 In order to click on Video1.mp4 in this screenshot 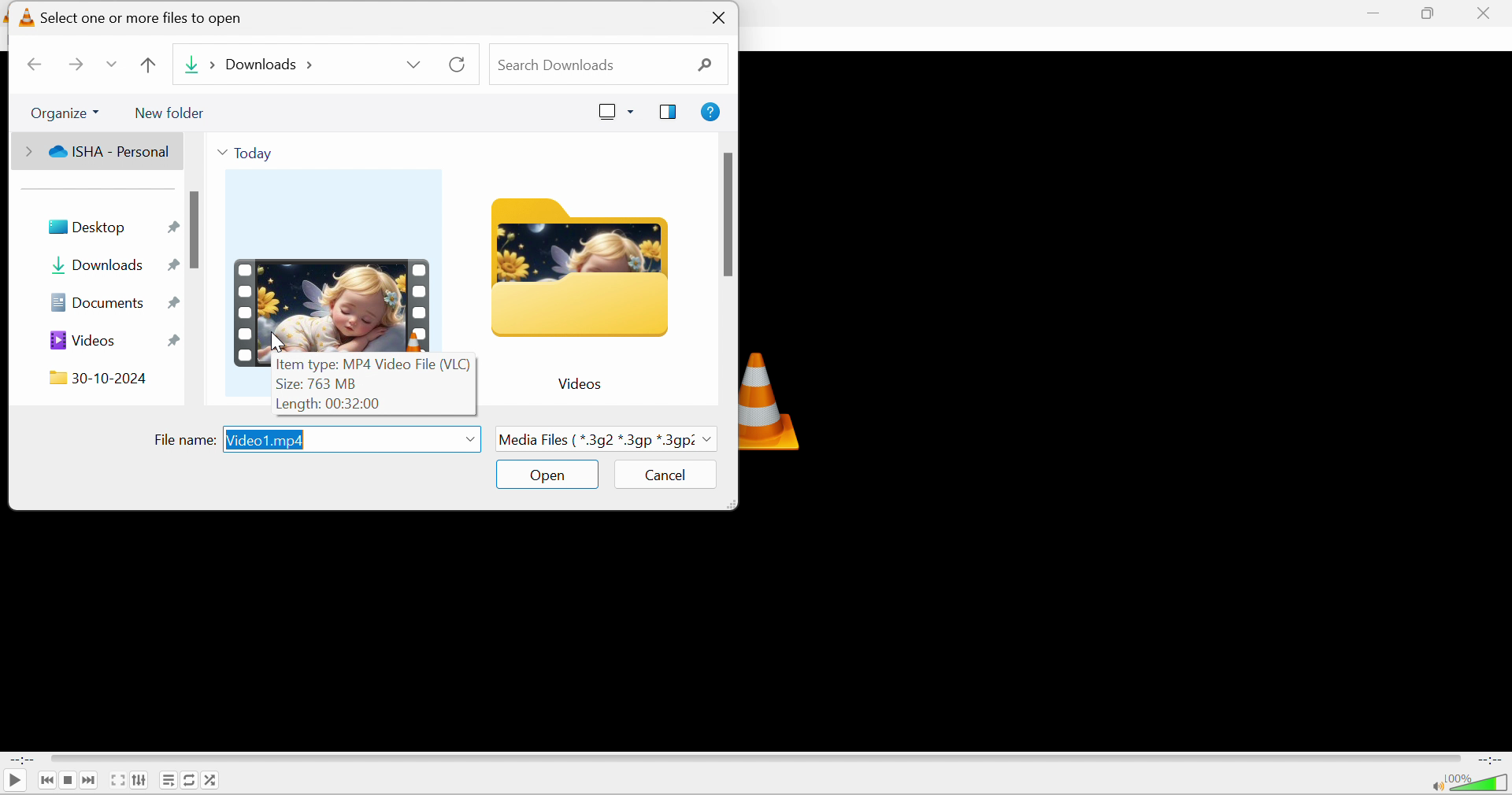, I will do `click(354, 439)`.